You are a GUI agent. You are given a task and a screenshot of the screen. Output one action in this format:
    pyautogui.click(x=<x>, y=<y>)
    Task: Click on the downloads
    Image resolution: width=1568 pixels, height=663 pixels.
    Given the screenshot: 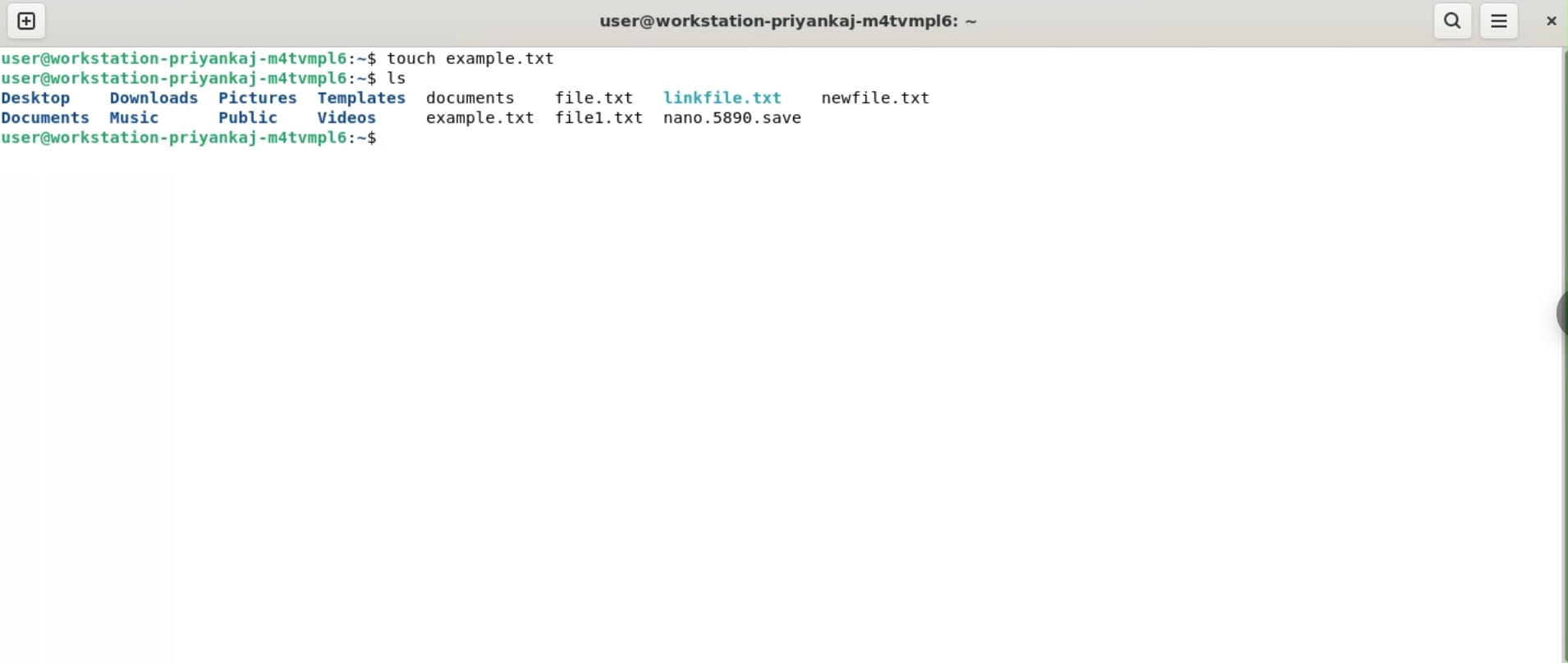 What is the action you would take?
    pyautogui.click(x=154, y=98)
    